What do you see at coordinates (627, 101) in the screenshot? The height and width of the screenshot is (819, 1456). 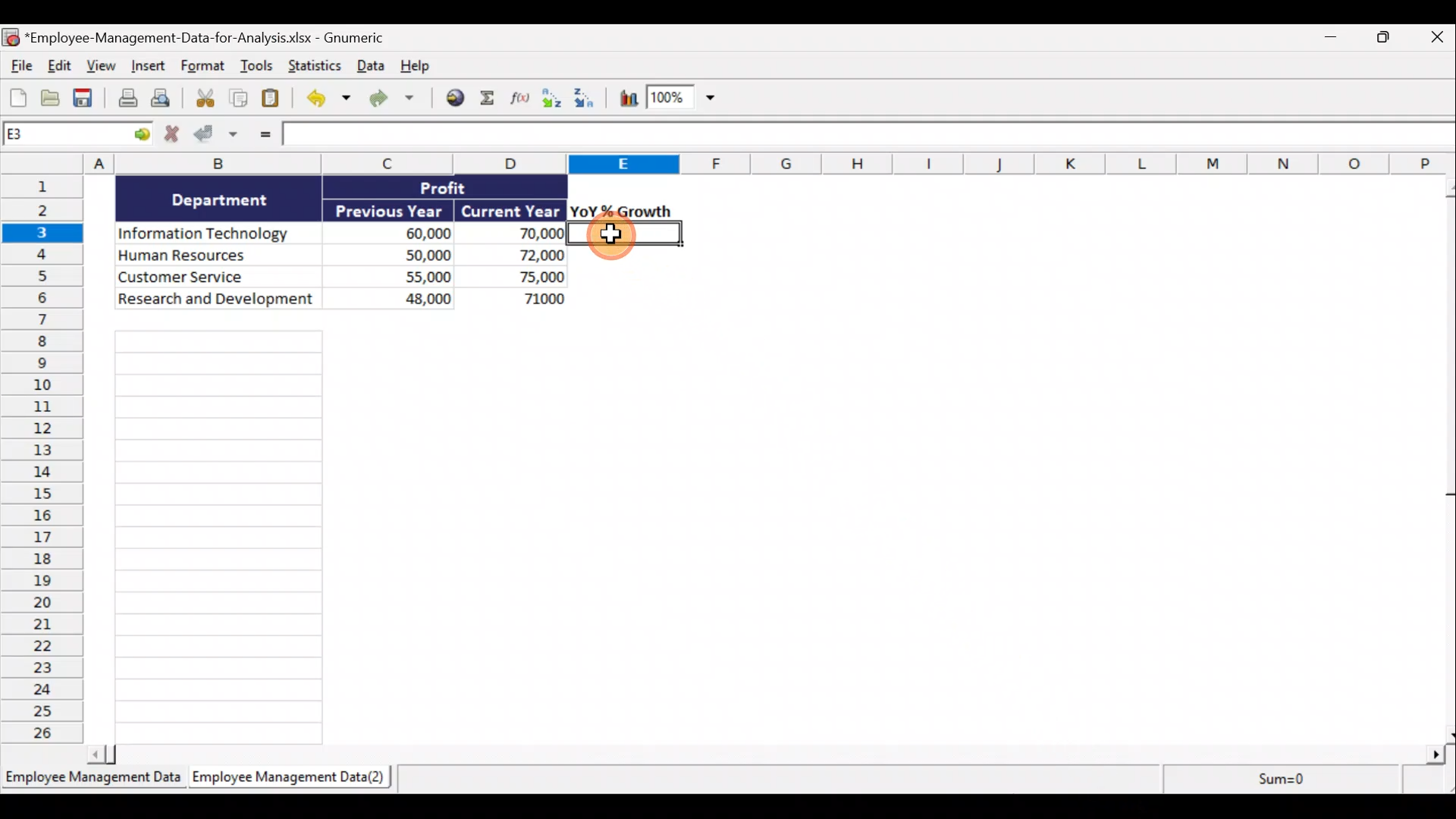 I see `Insert a chart` at bounding box center [627, 101].